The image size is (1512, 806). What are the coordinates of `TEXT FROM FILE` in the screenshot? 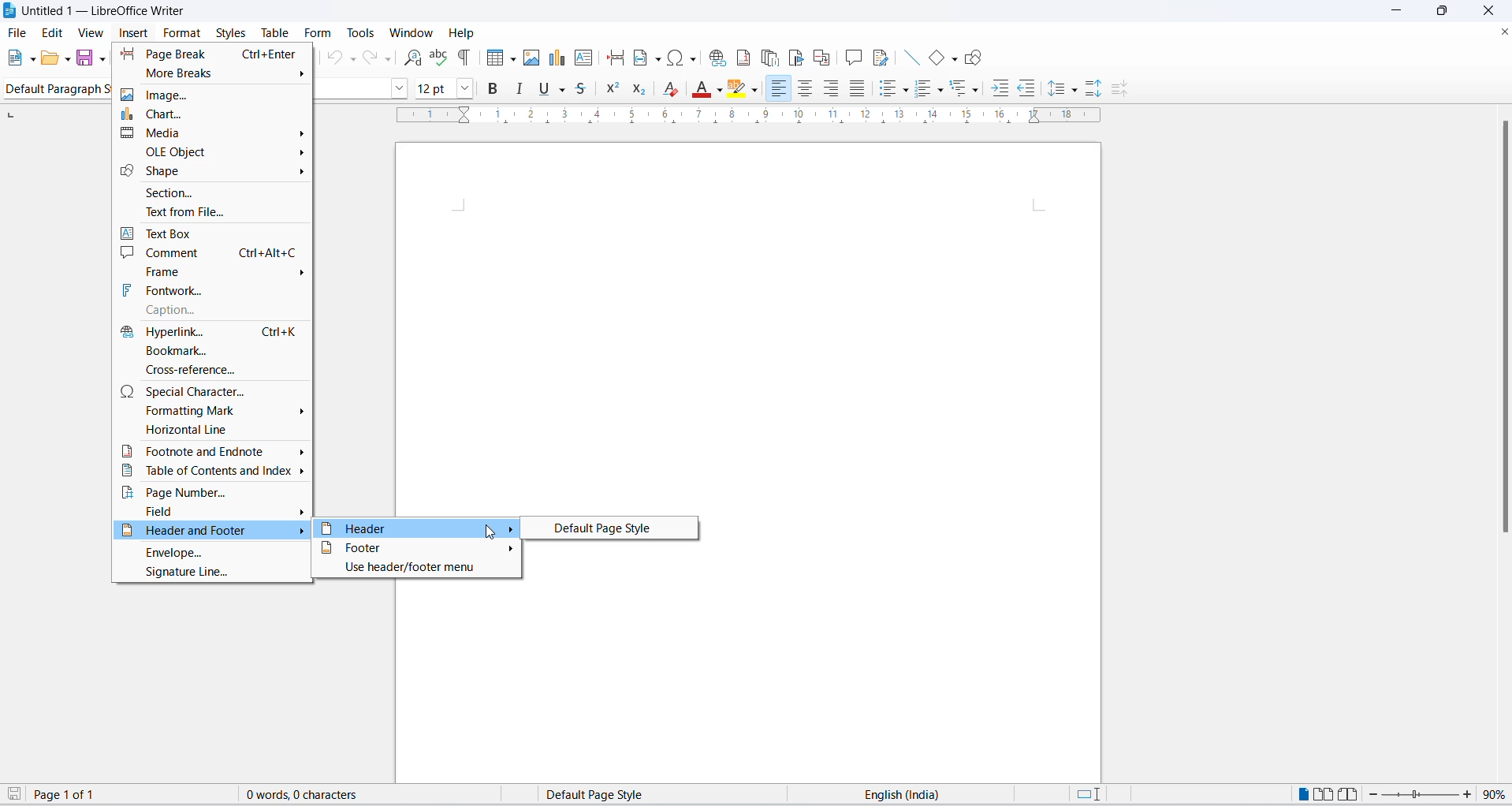 It's located at (212, 211).